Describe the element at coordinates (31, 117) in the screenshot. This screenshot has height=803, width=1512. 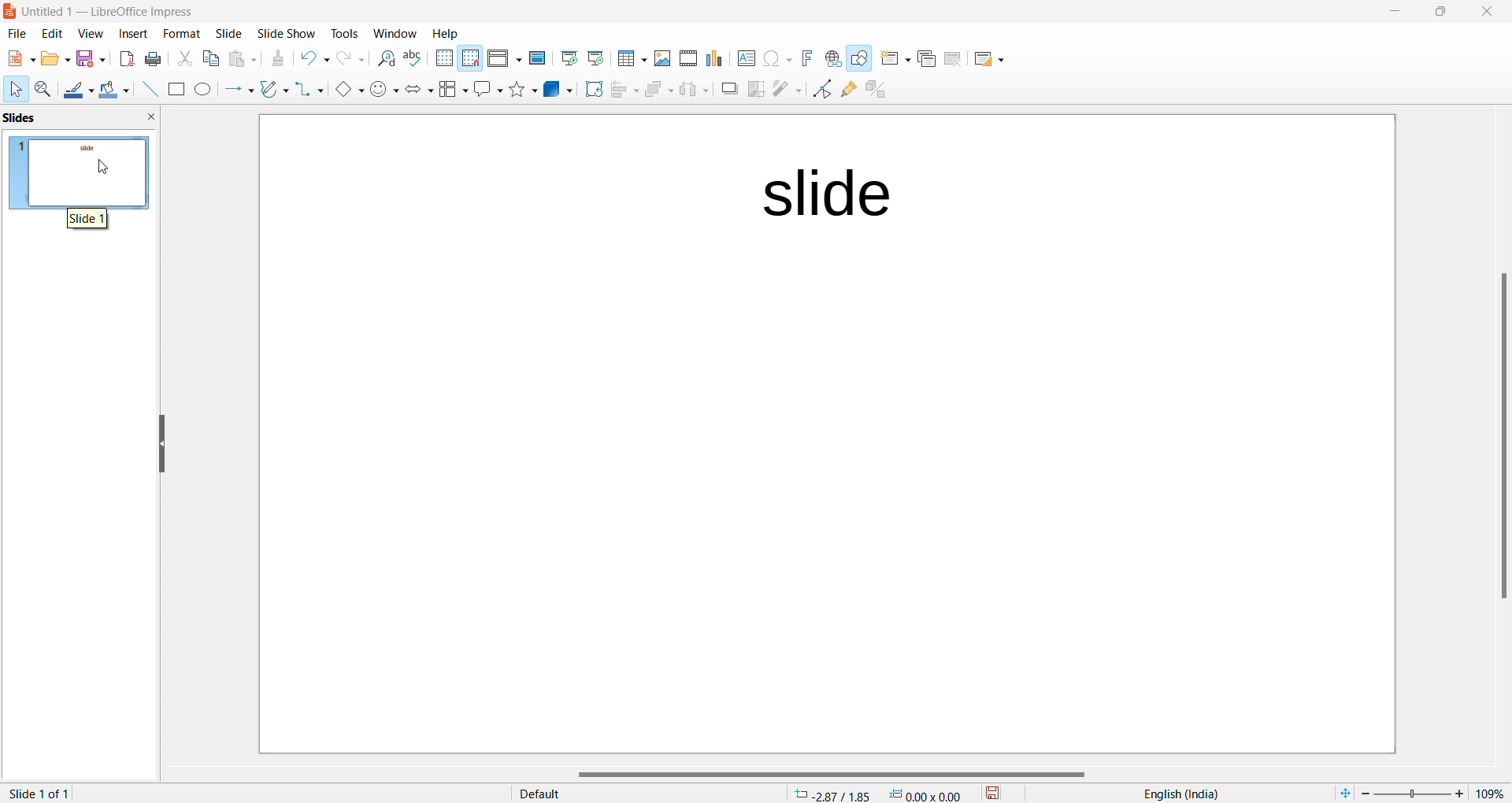
I see `slide preview pane` at that location.